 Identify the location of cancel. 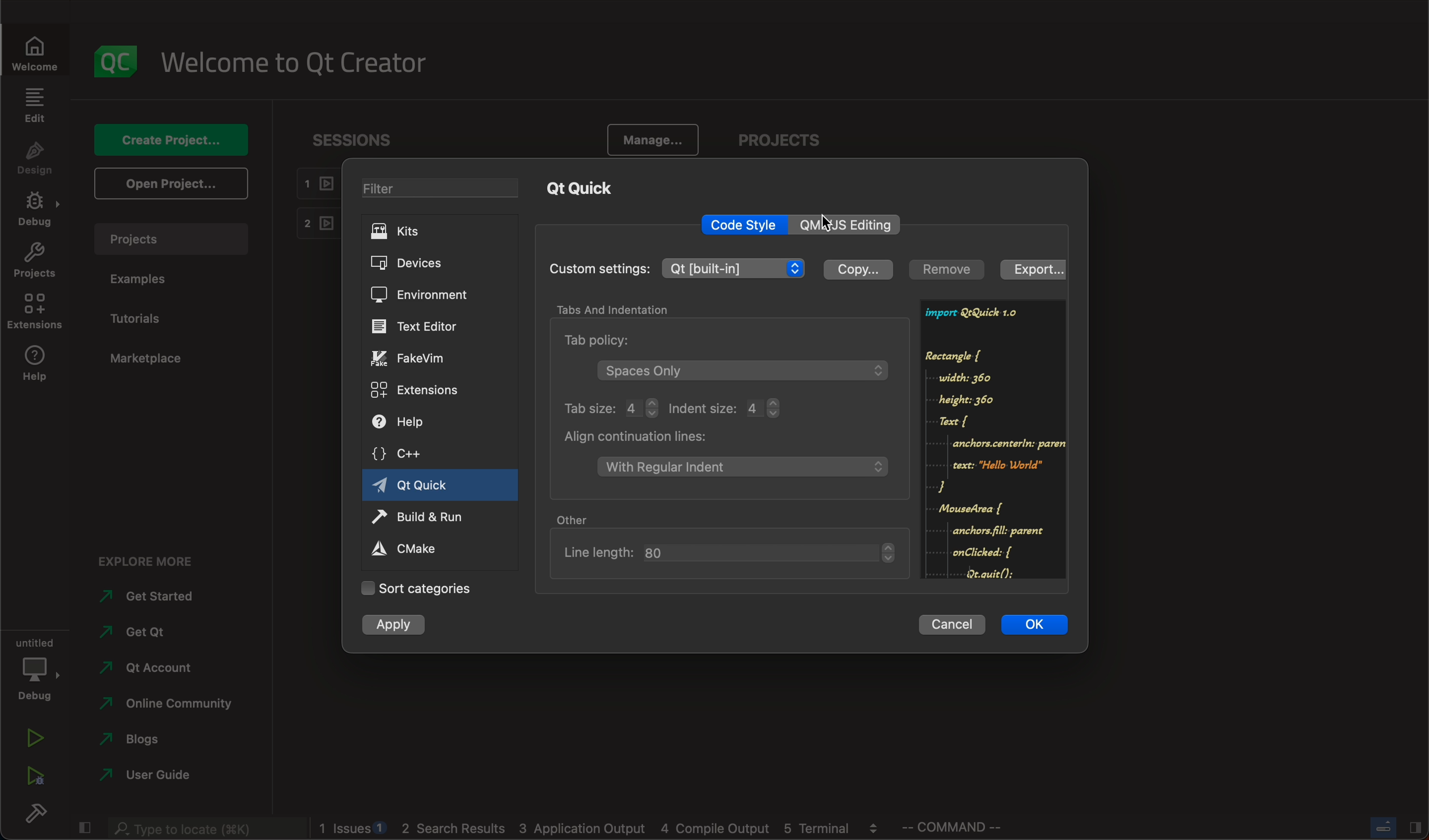
(955, 625).